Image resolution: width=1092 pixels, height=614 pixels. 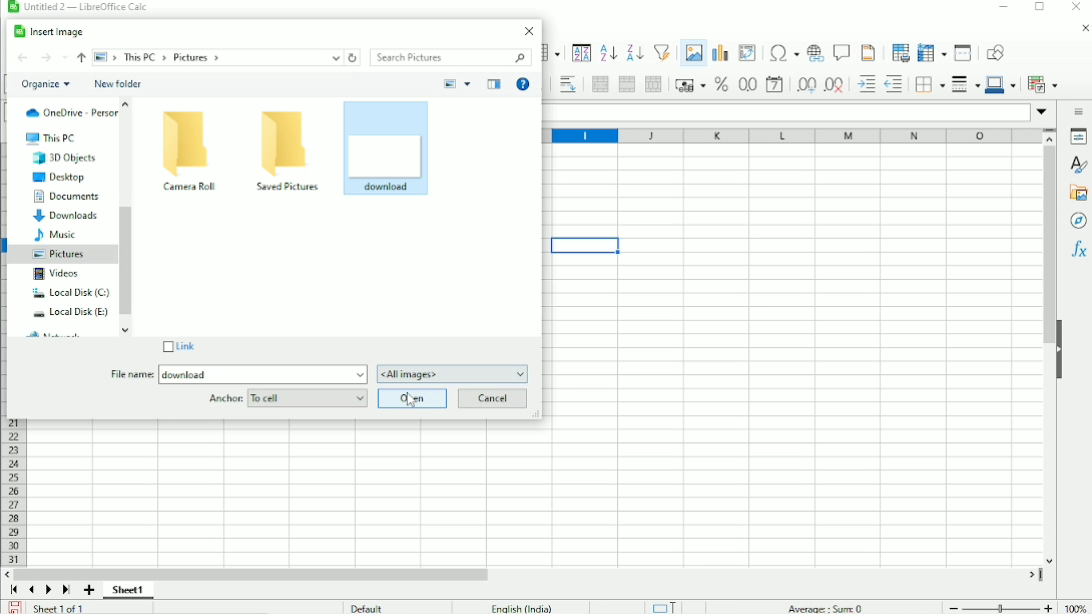 What do you see at coordinates (119, 84) in the screenshot?
I see `New folder` at bounding box center [119, 84].